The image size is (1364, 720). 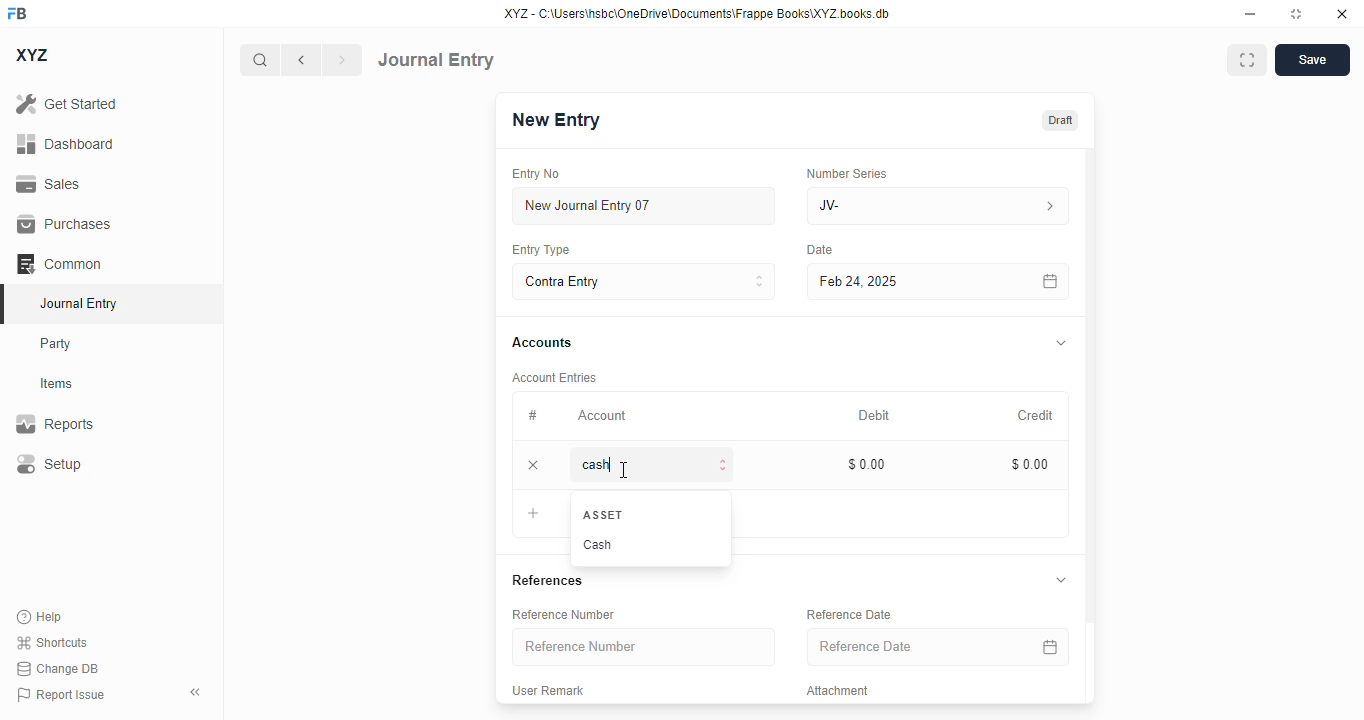 I want to click on report issue, so click(x=61, y=694).